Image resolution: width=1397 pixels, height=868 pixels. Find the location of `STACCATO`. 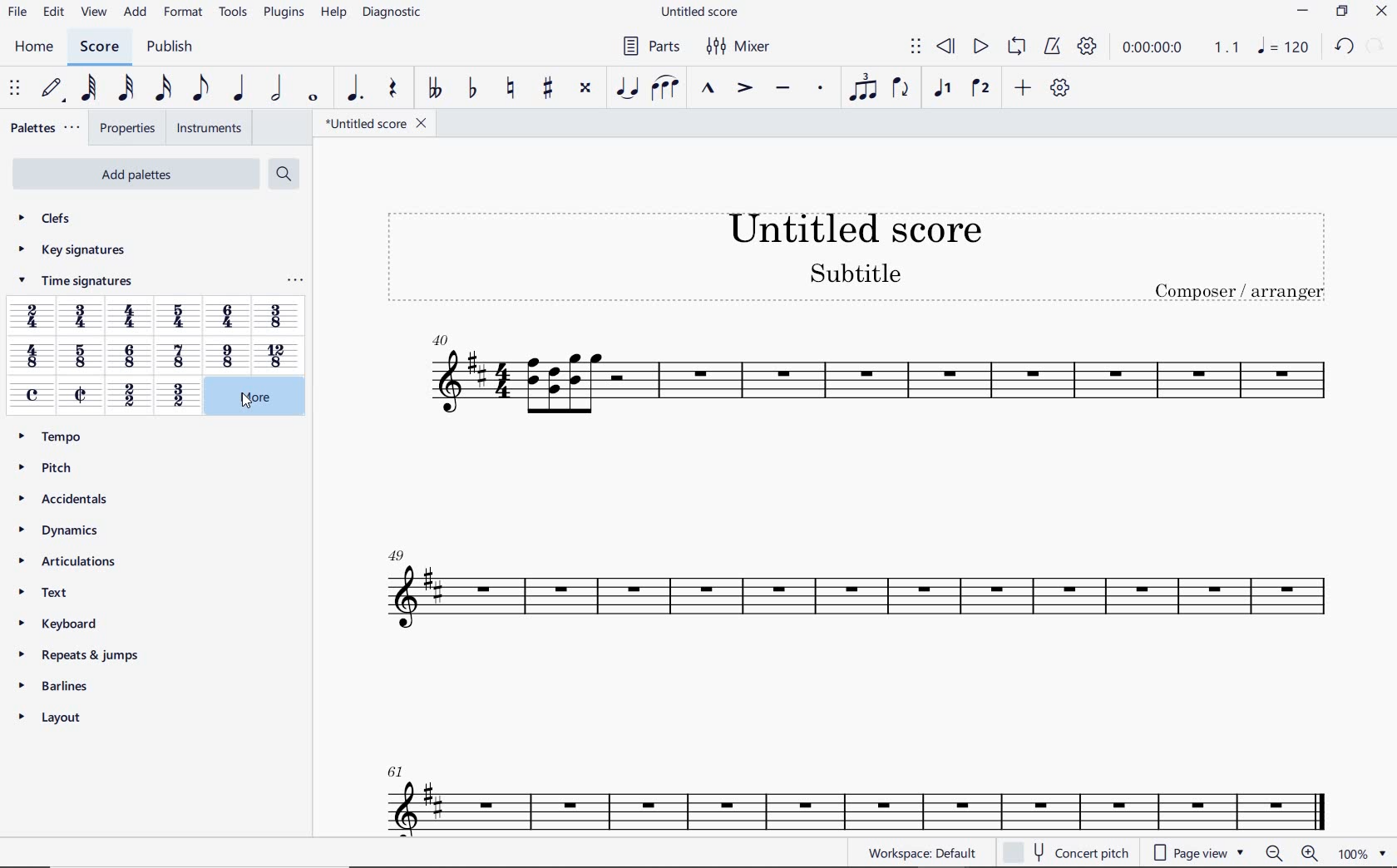

STACCATO is located at coordinates (822, 90).